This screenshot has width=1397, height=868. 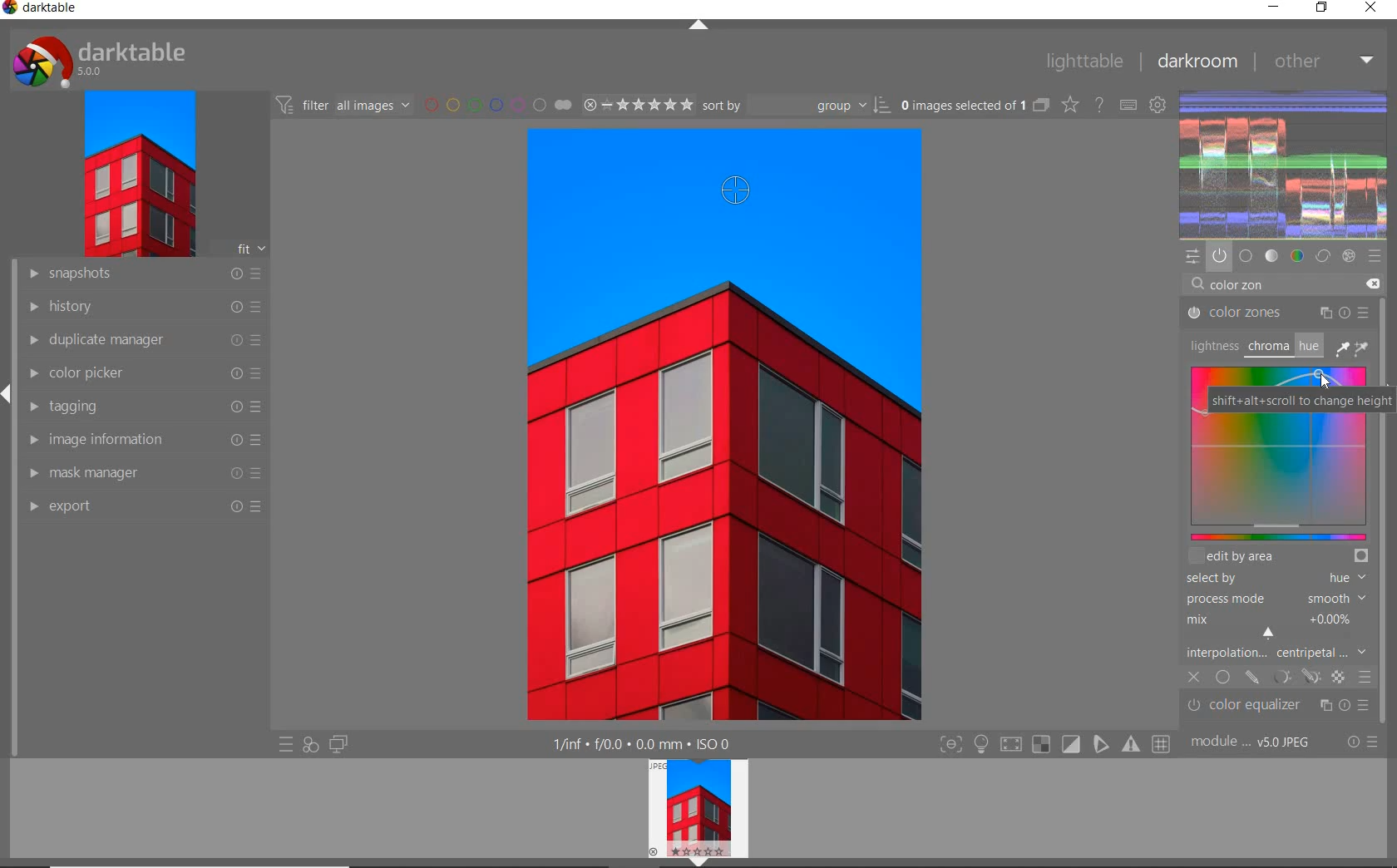 I want to click on EDIT BY AREA, so click(x=1278, y=557).